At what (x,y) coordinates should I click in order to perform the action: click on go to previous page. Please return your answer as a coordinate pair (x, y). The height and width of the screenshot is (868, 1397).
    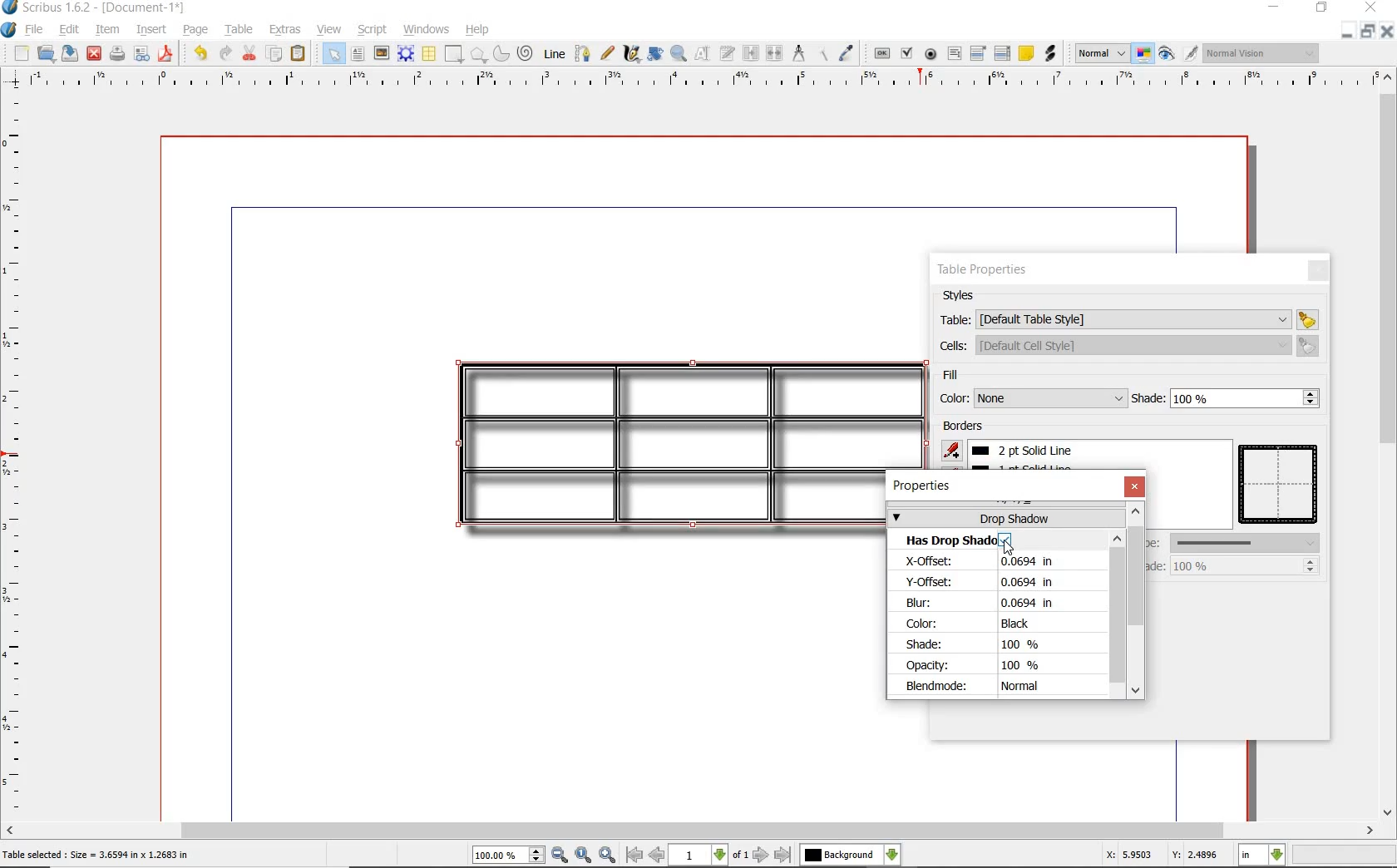
    Looking at the image, I should click on (657, 856).